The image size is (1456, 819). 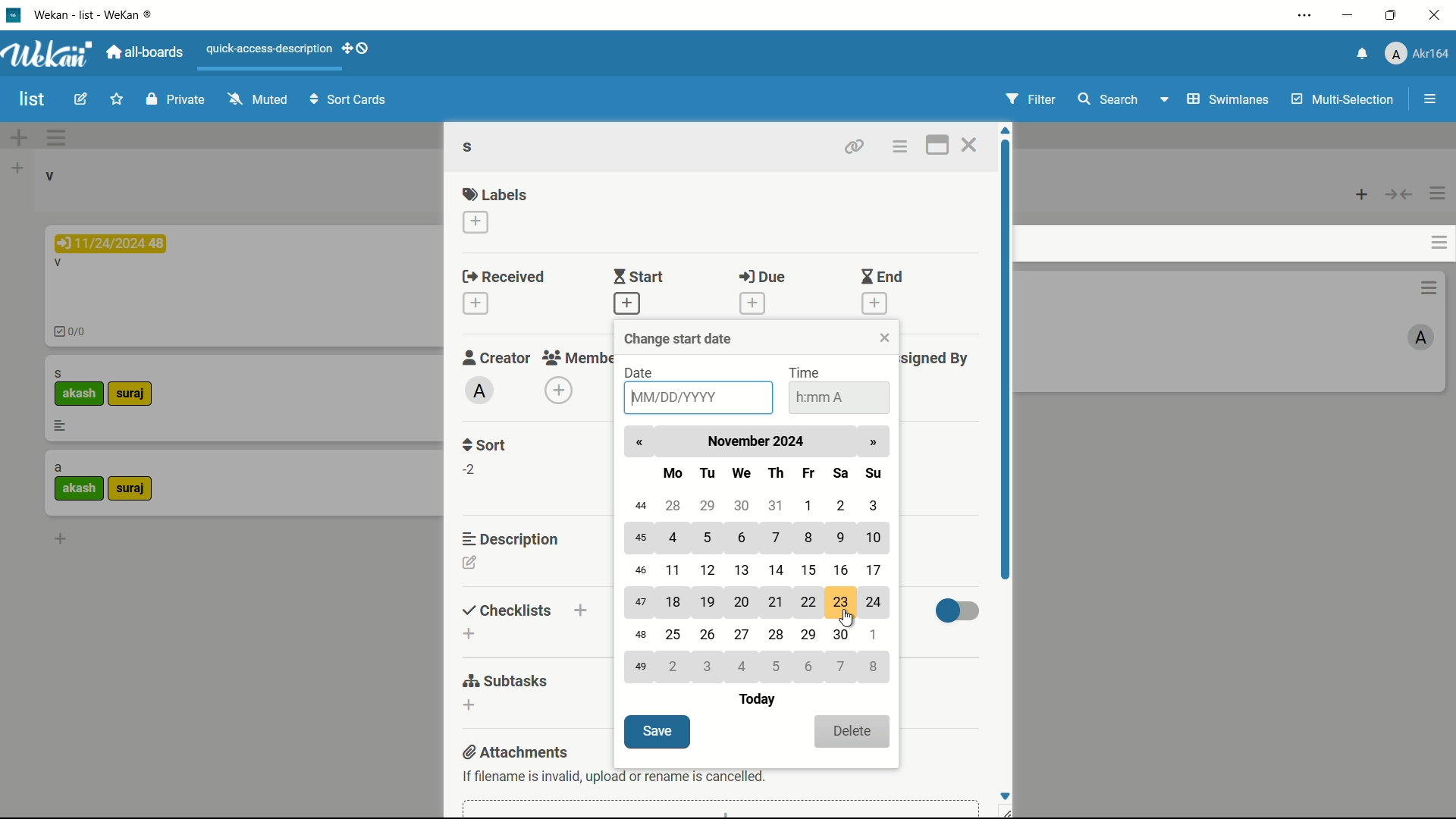 What do you see at coordinates (49, 54) in the screenshot?
I see `app logo` at bounding box center [49, 54].